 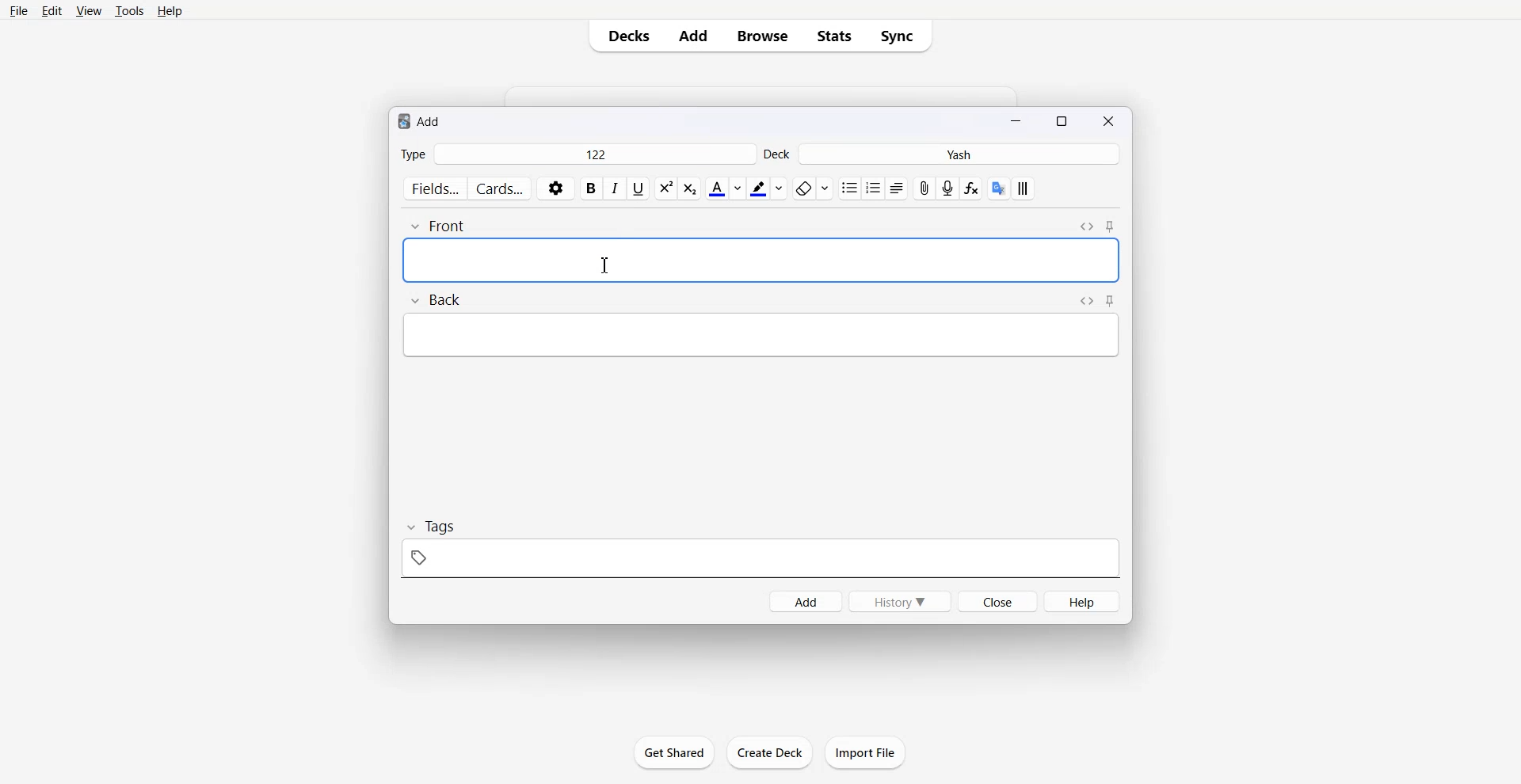 What do you see at coordinates (439, 225) in the screenshot?
I see `Front` at bounding box center [439, 225].